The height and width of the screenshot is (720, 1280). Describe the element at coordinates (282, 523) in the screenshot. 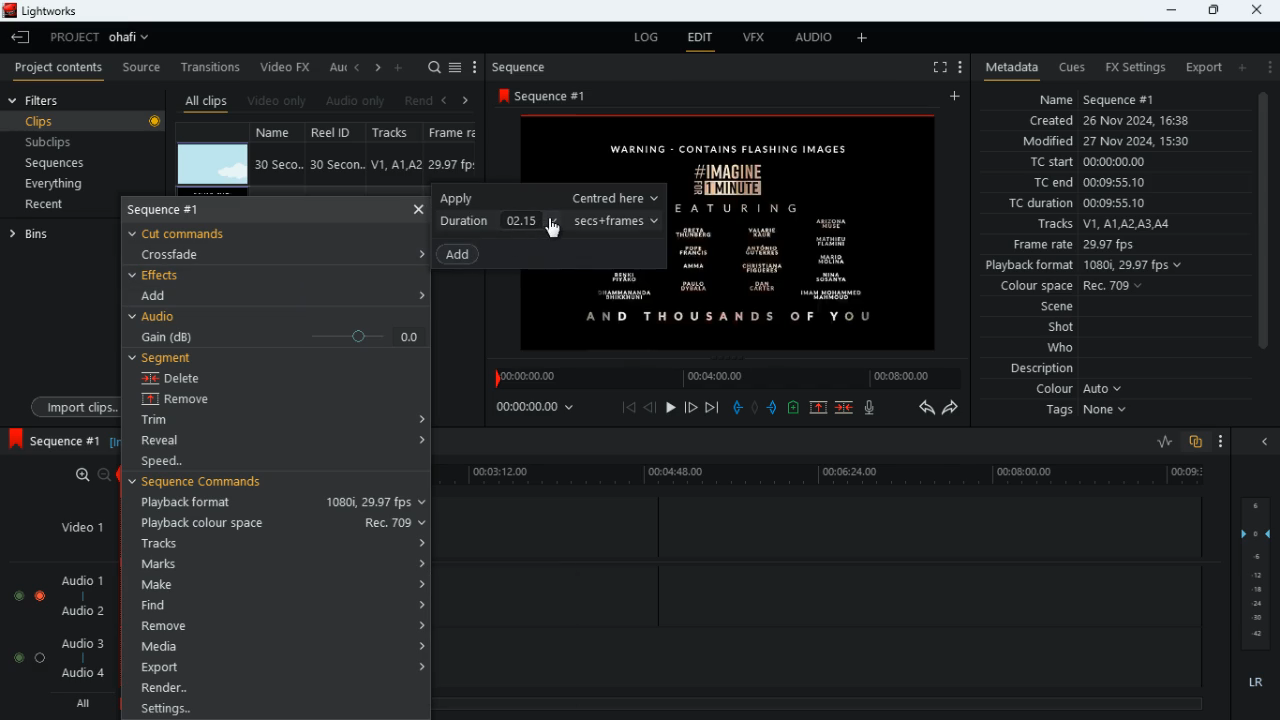

I see `playback colour space` at that location.